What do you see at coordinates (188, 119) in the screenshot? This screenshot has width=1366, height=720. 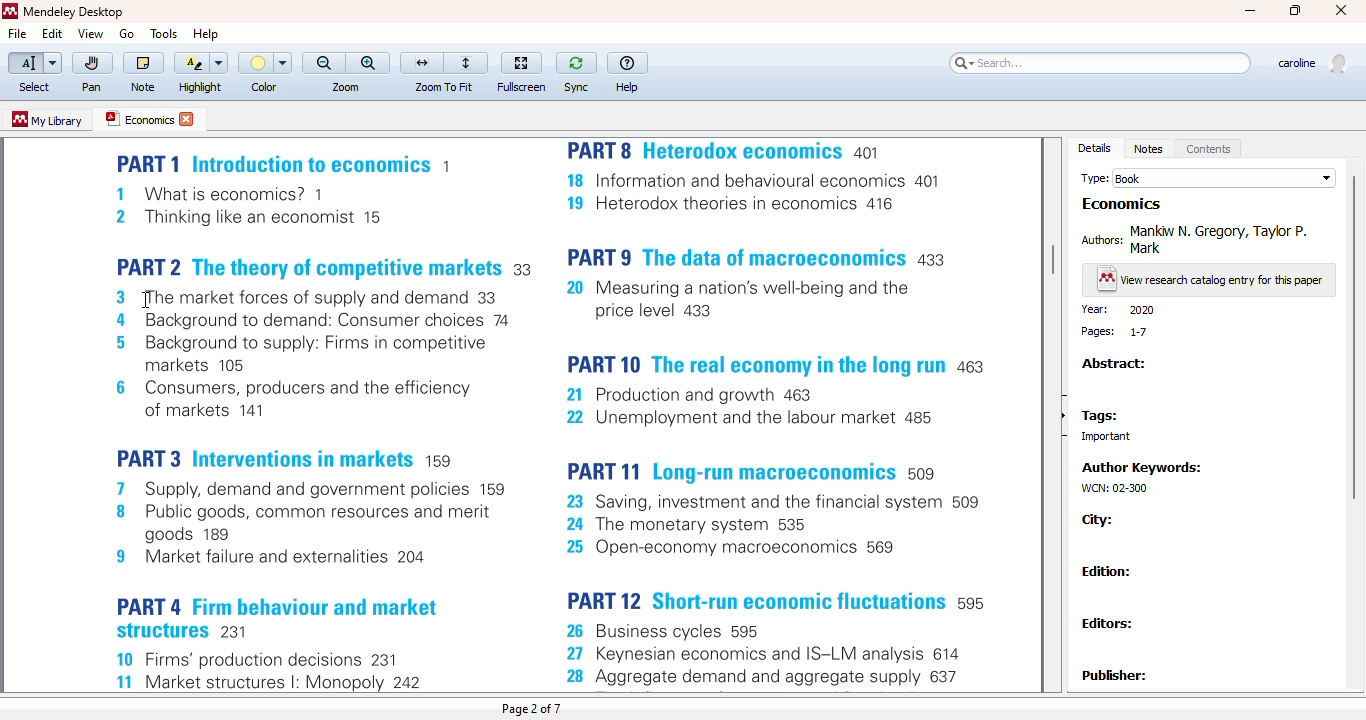 I see `close tab` at bounding box center [188, 119].